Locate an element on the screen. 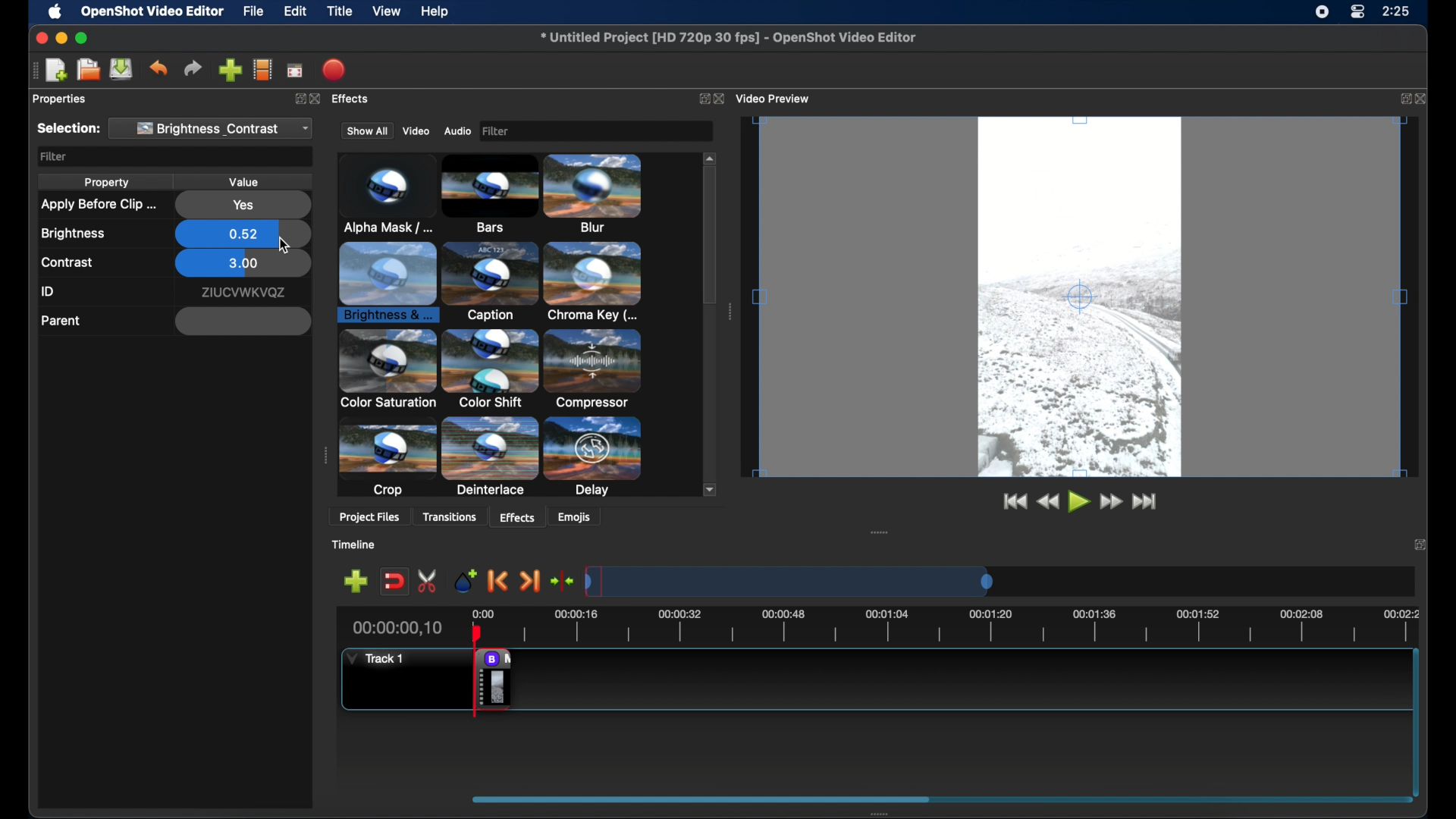  value is located at coordinates (246, 181).